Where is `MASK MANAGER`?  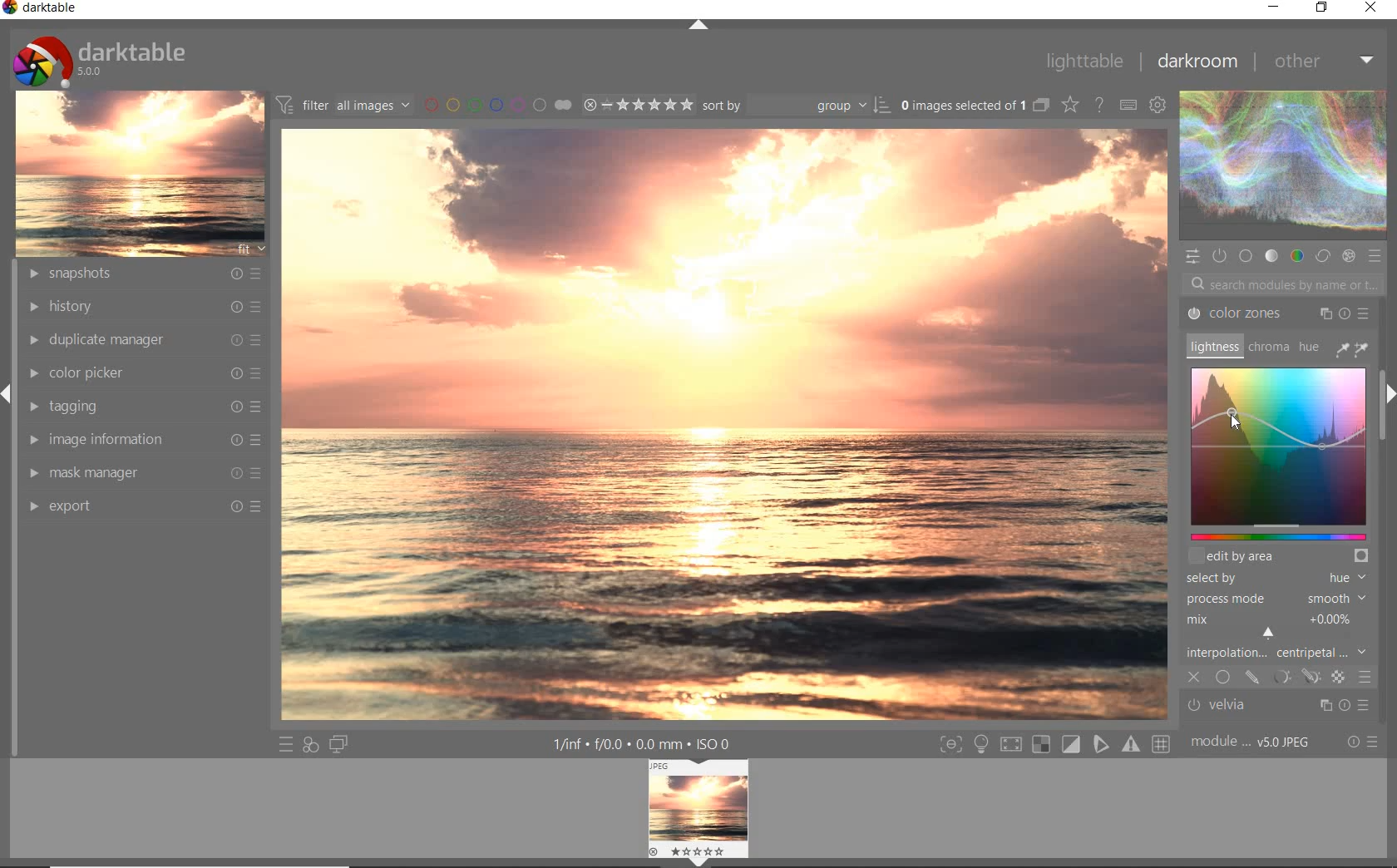 MASK MANAGER is located at coordinates (143, 472).